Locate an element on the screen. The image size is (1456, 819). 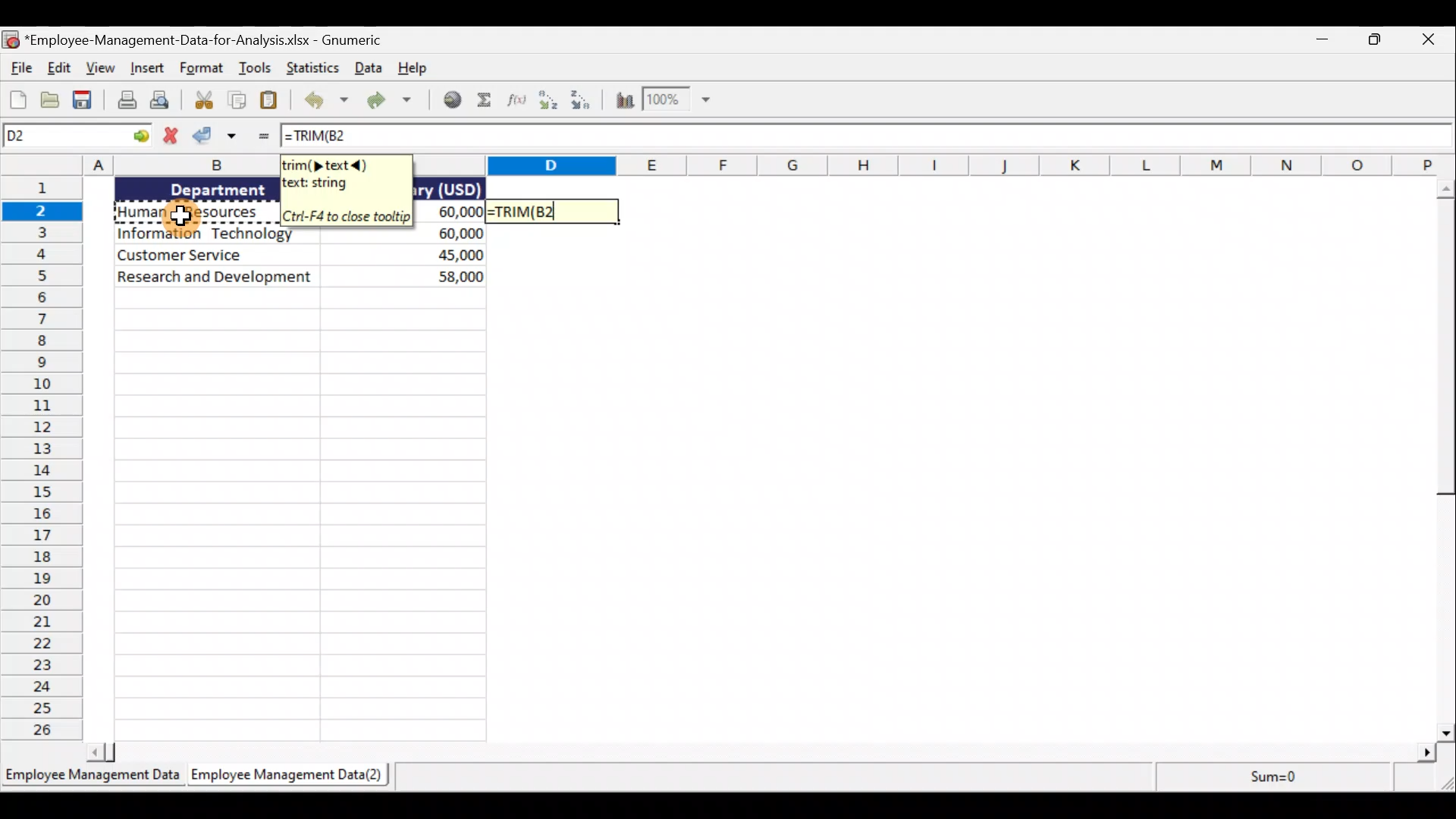
Cut the selection is located at coordinates (202, 100).